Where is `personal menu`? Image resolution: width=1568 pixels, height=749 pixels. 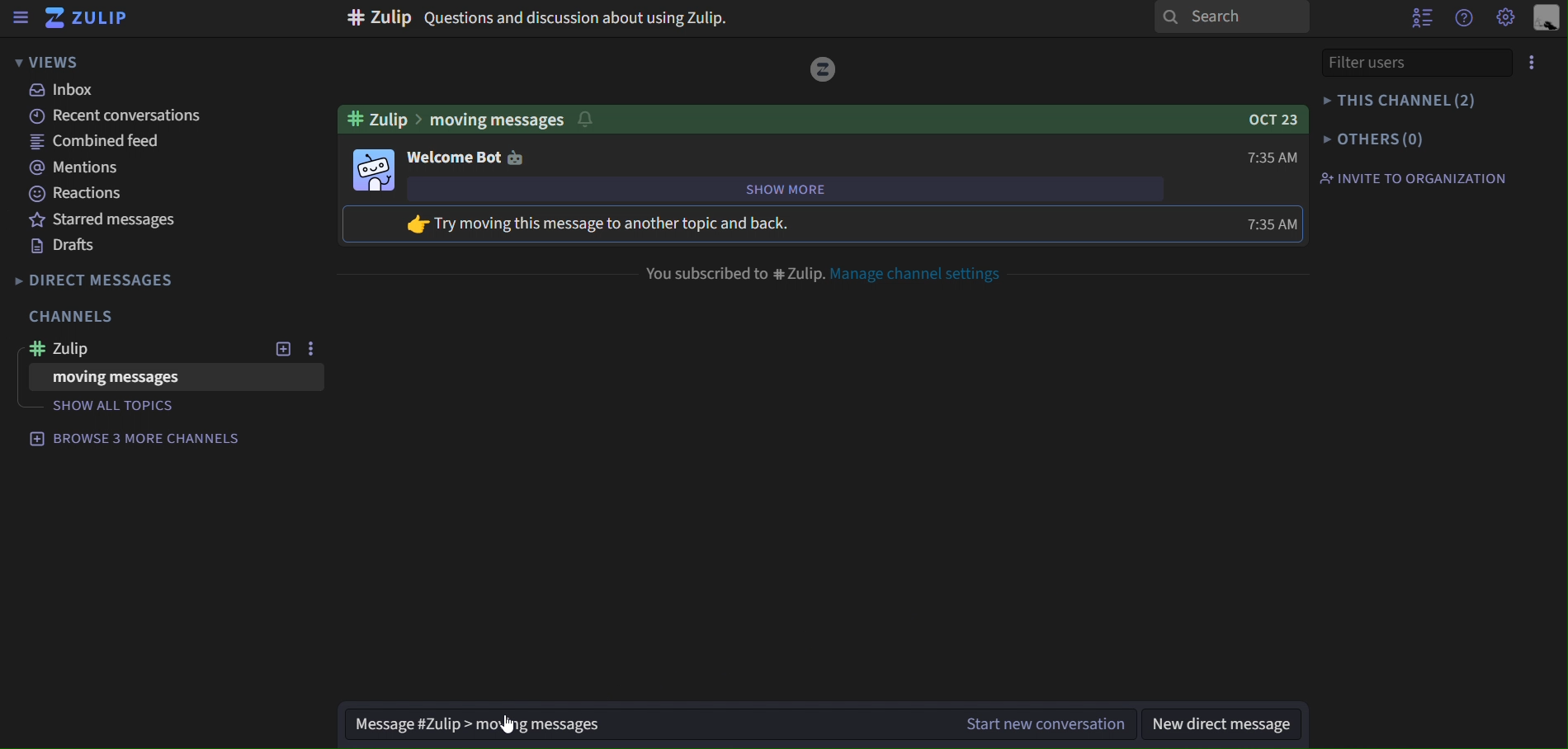 personal menu is located at coordinates (1543, 20).